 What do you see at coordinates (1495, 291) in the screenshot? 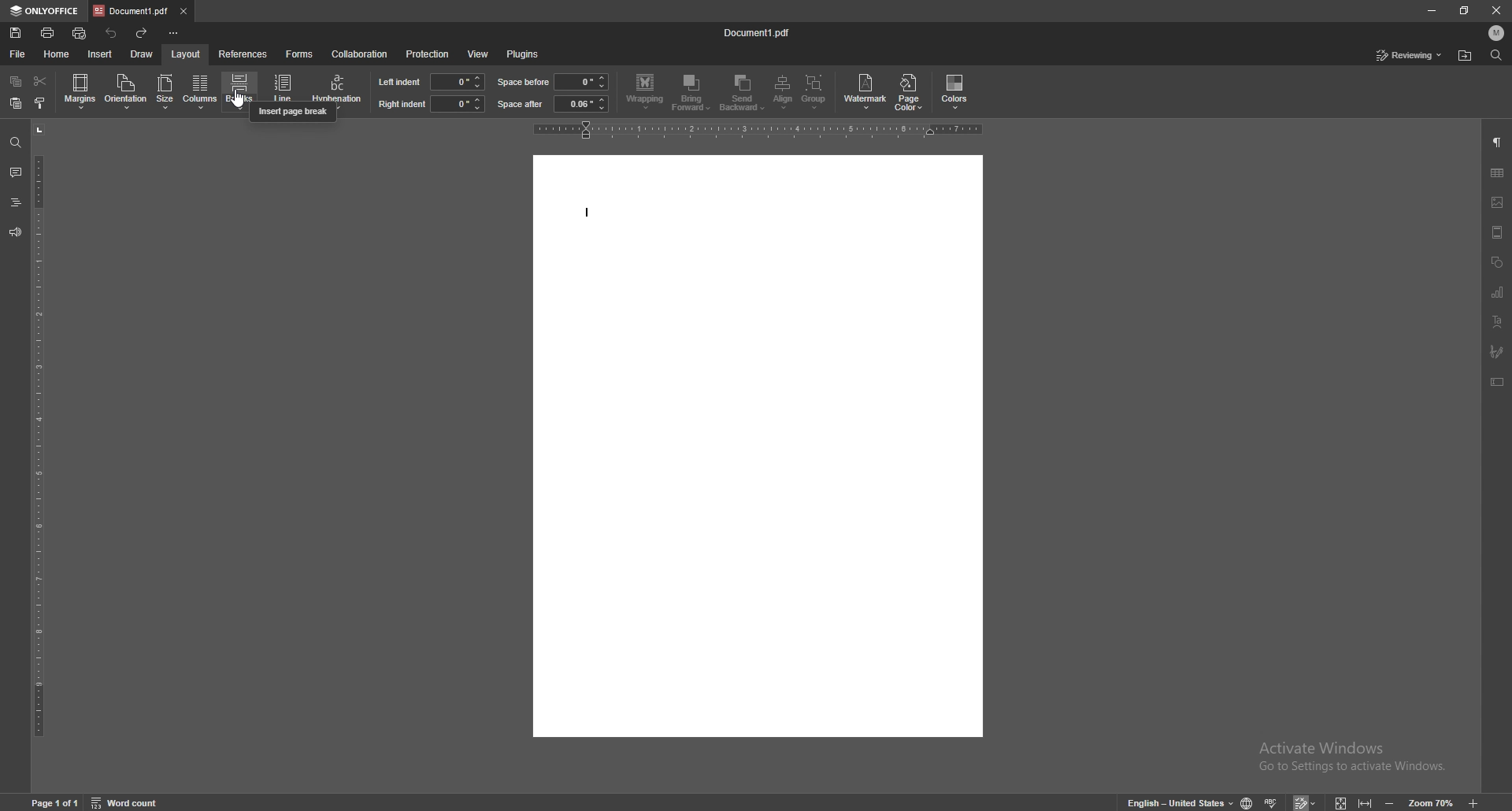
I see `chart` at bounding box center [1495, 291].